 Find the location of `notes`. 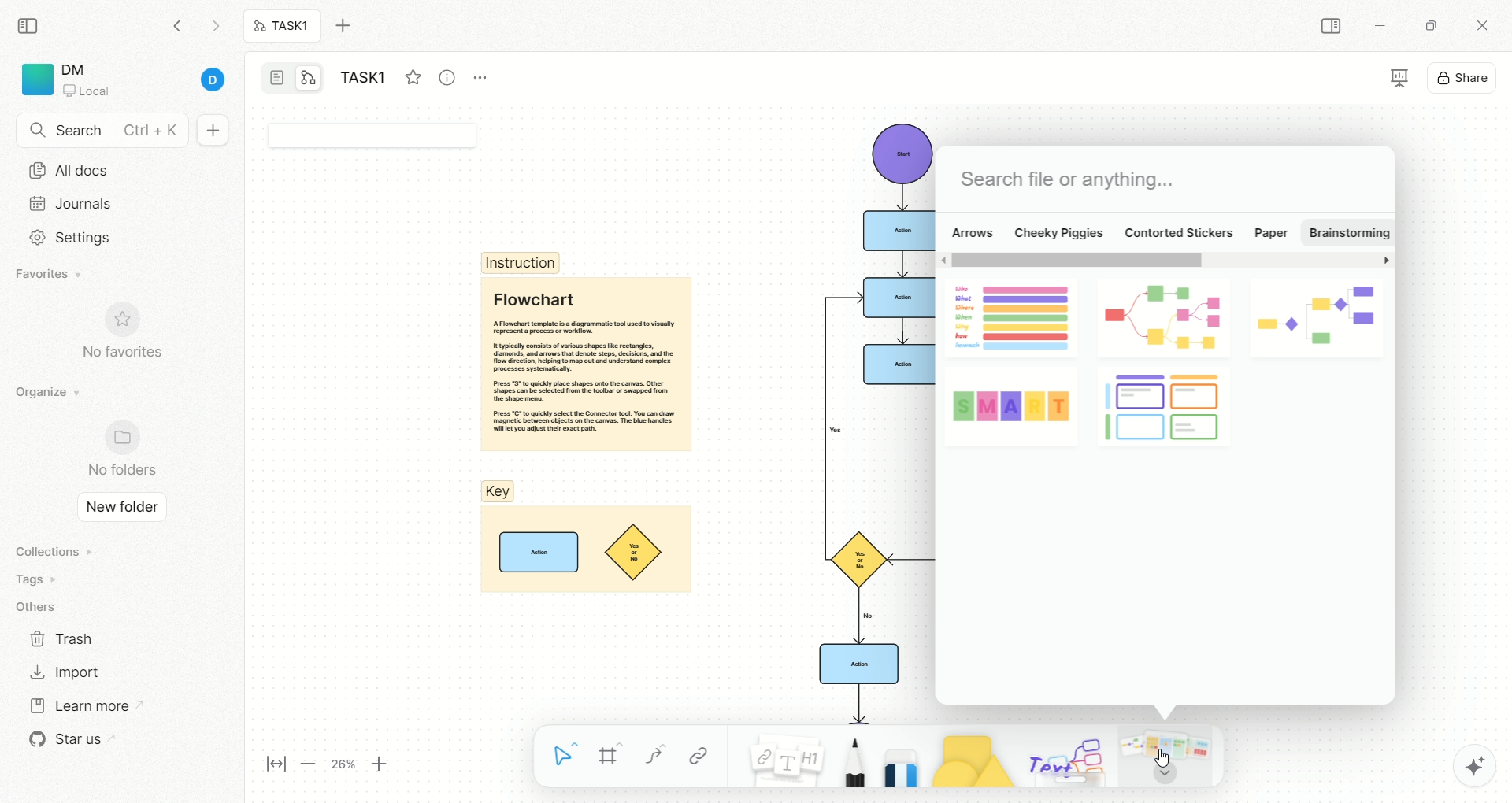

notes is located at coordinates (777, 756).